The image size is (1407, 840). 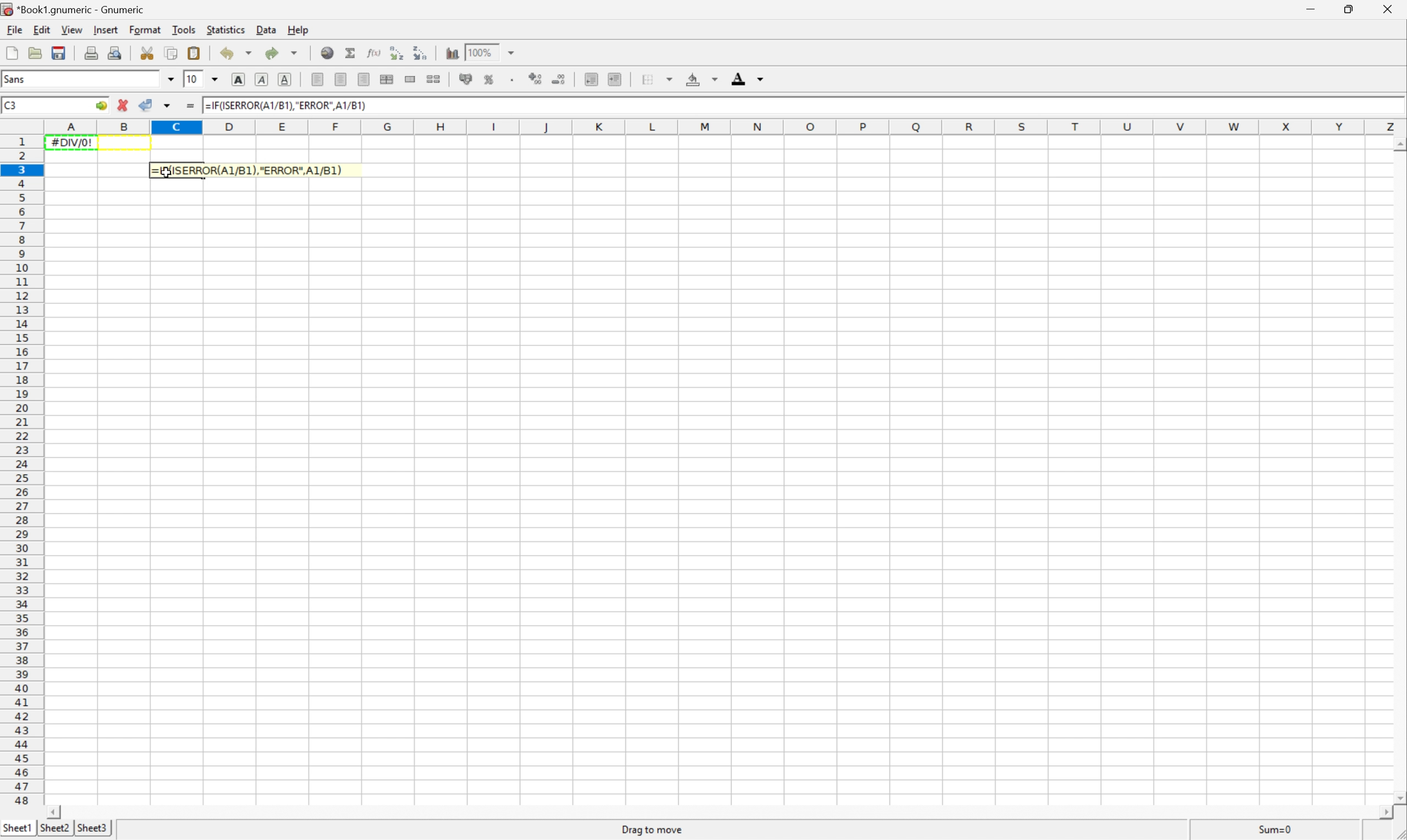 What do you see at coordinates (226, 54) in the screenshot?
I see `Undo` at bounding box center [226, 54].